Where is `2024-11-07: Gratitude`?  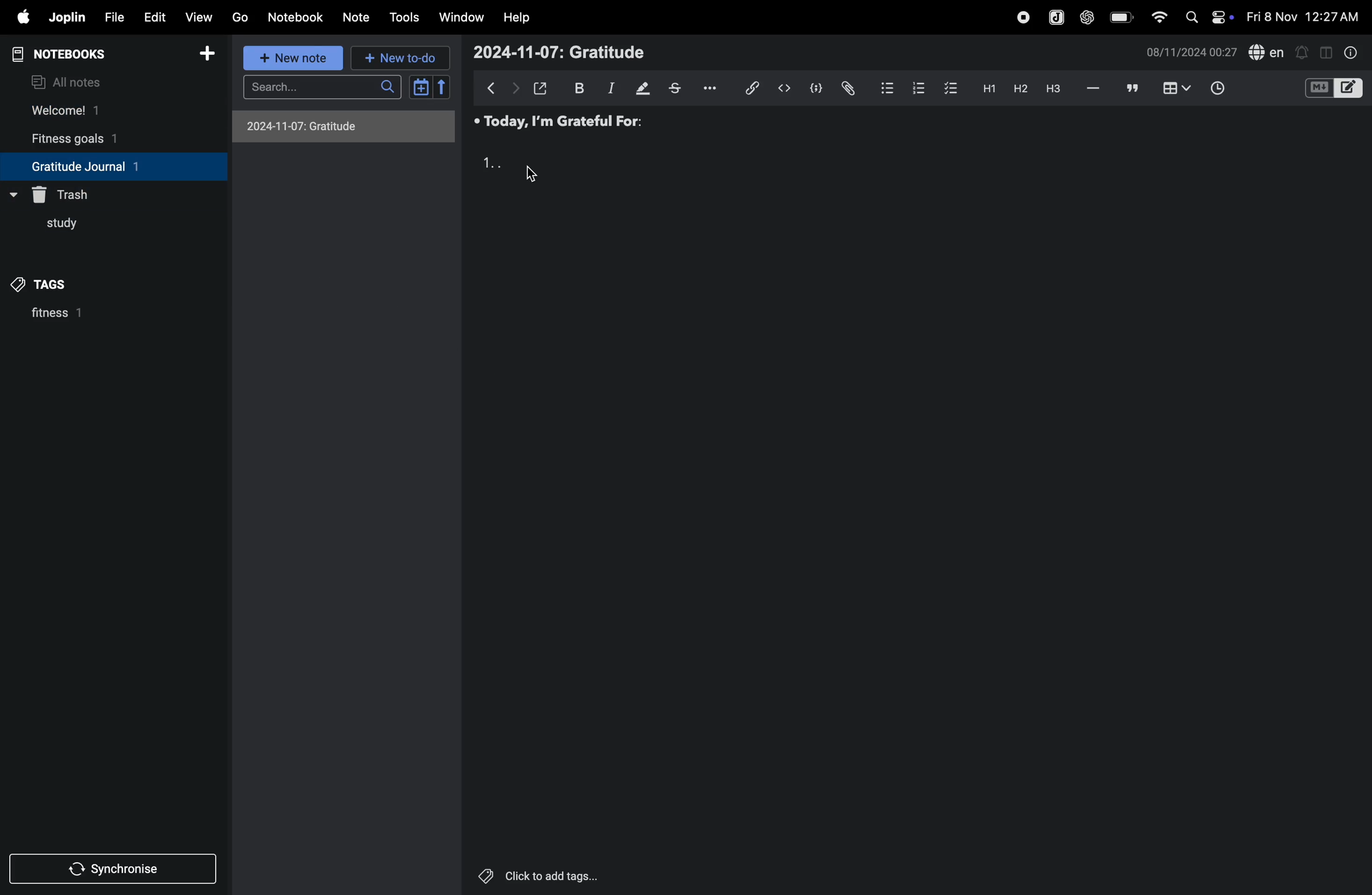
2024-11-07: Gratitude is located at coordinates (342, 127).